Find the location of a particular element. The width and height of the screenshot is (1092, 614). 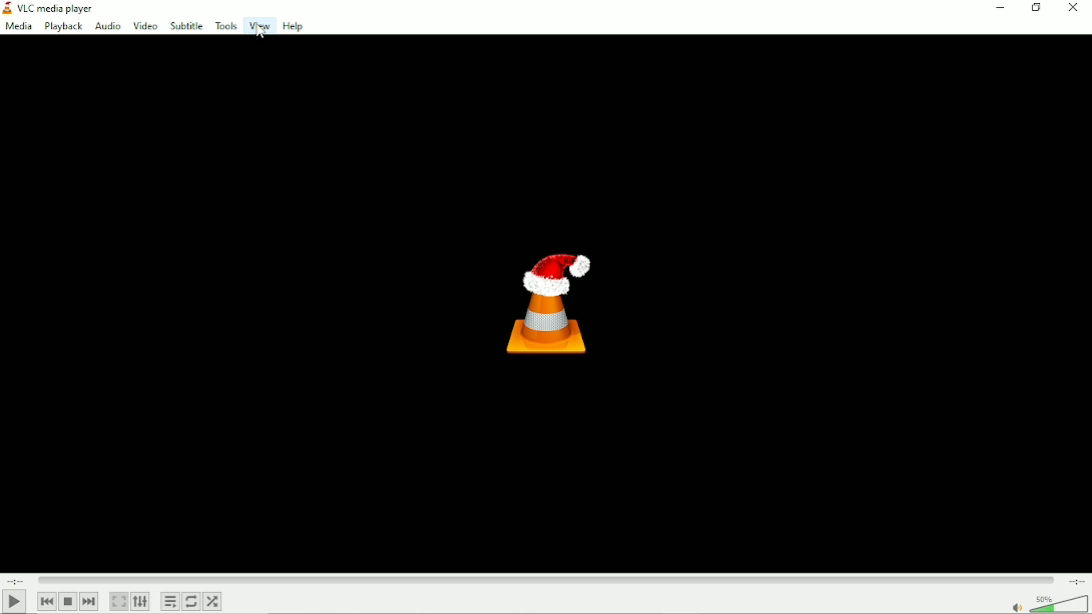

Close is located at coordinates (1074, 9).